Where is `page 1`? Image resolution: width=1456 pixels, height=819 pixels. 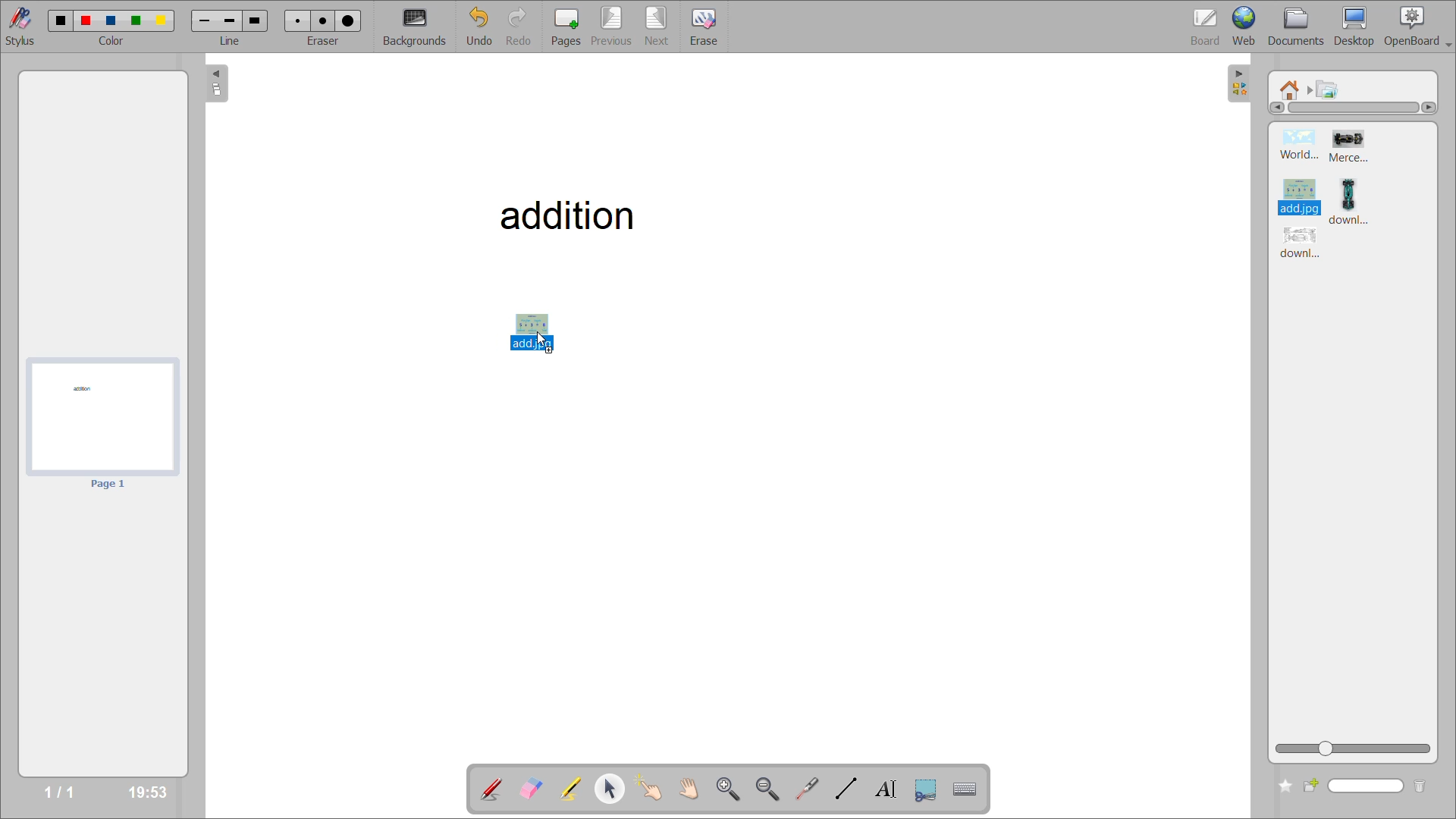 page 1 is located at coordinates (108, 484).